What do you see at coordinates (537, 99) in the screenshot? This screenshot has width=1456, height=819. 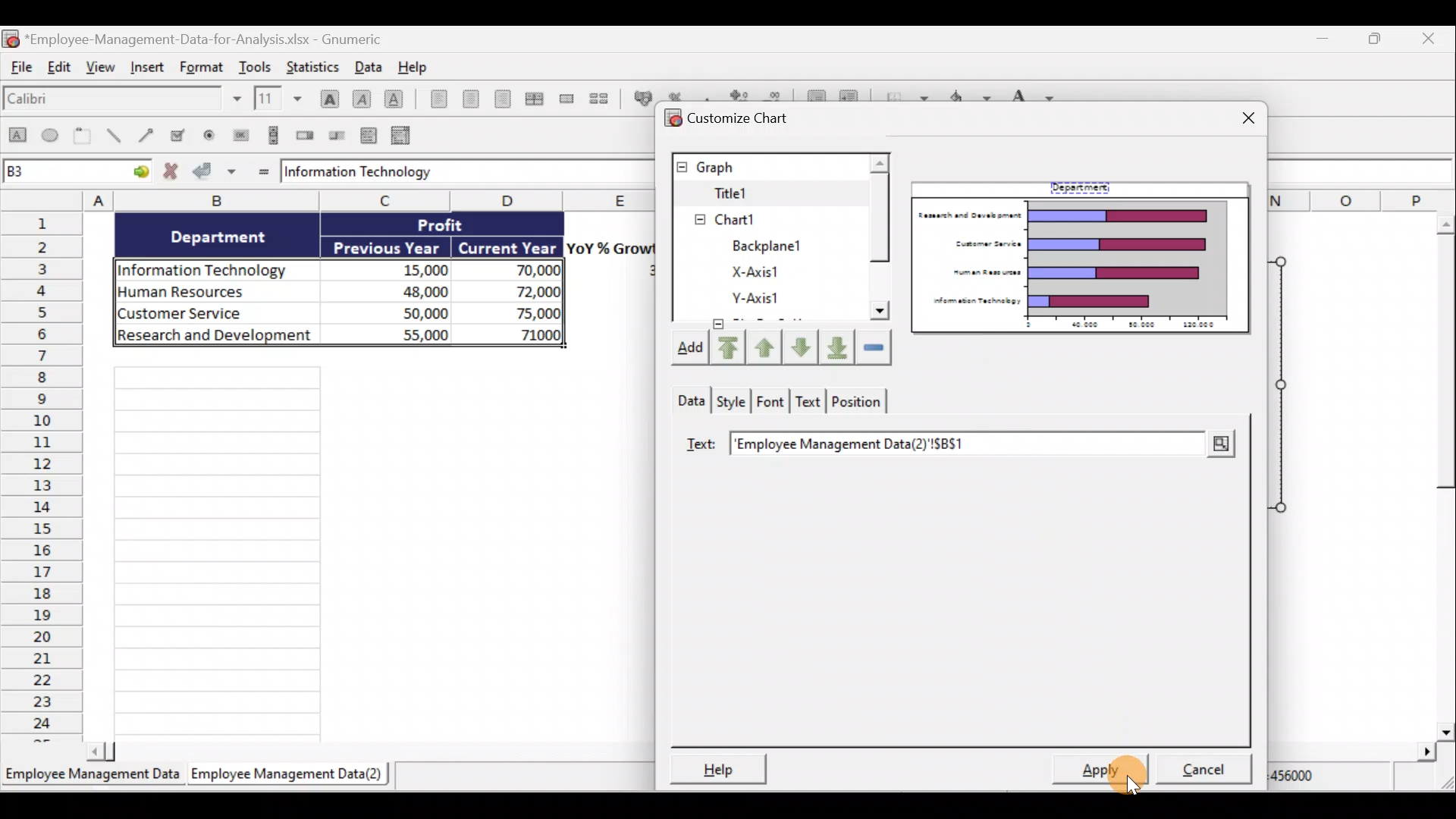 I see `Centre horizontally across the selection` at bounding box center [537, 99].